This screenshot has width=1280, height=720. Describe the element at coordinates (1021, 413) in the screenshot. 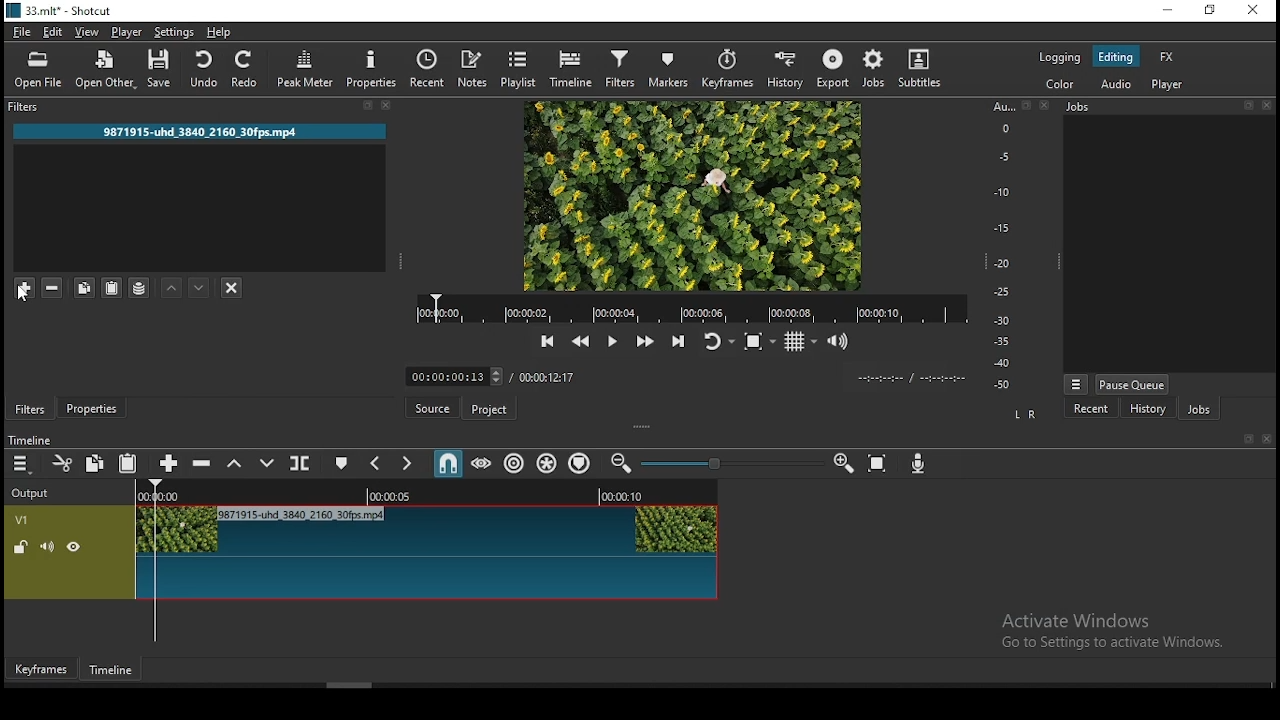

I see `L R` at that location.